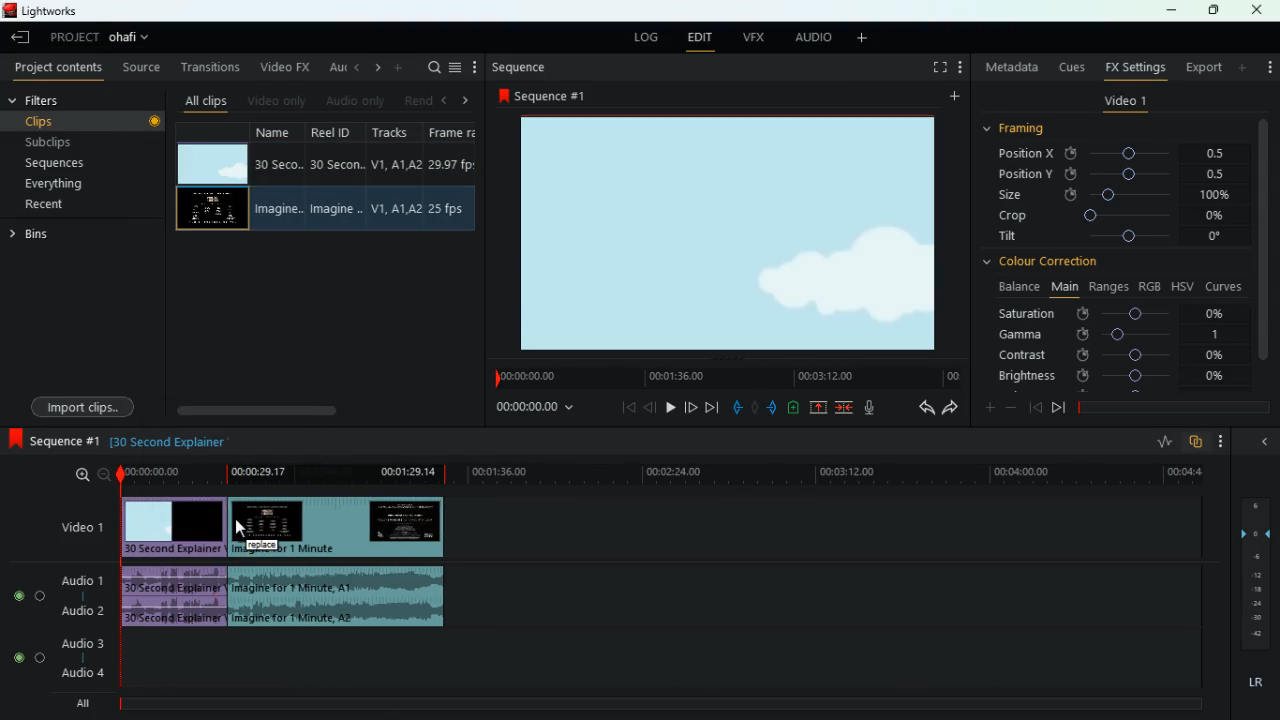  Describe the element at coordinates (533, 409) in the screenshot. I see `time` at that location.